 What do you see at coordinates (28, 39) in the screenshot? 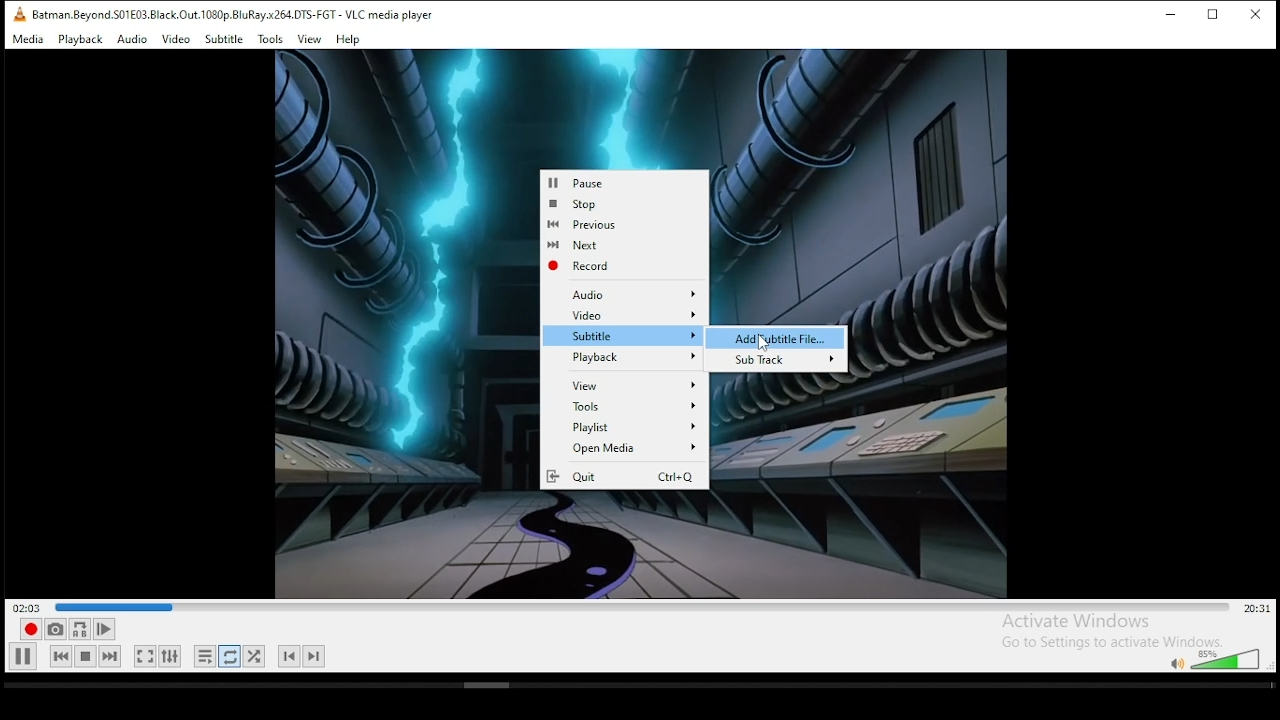
I see `media` at bounding box center [28, 39].